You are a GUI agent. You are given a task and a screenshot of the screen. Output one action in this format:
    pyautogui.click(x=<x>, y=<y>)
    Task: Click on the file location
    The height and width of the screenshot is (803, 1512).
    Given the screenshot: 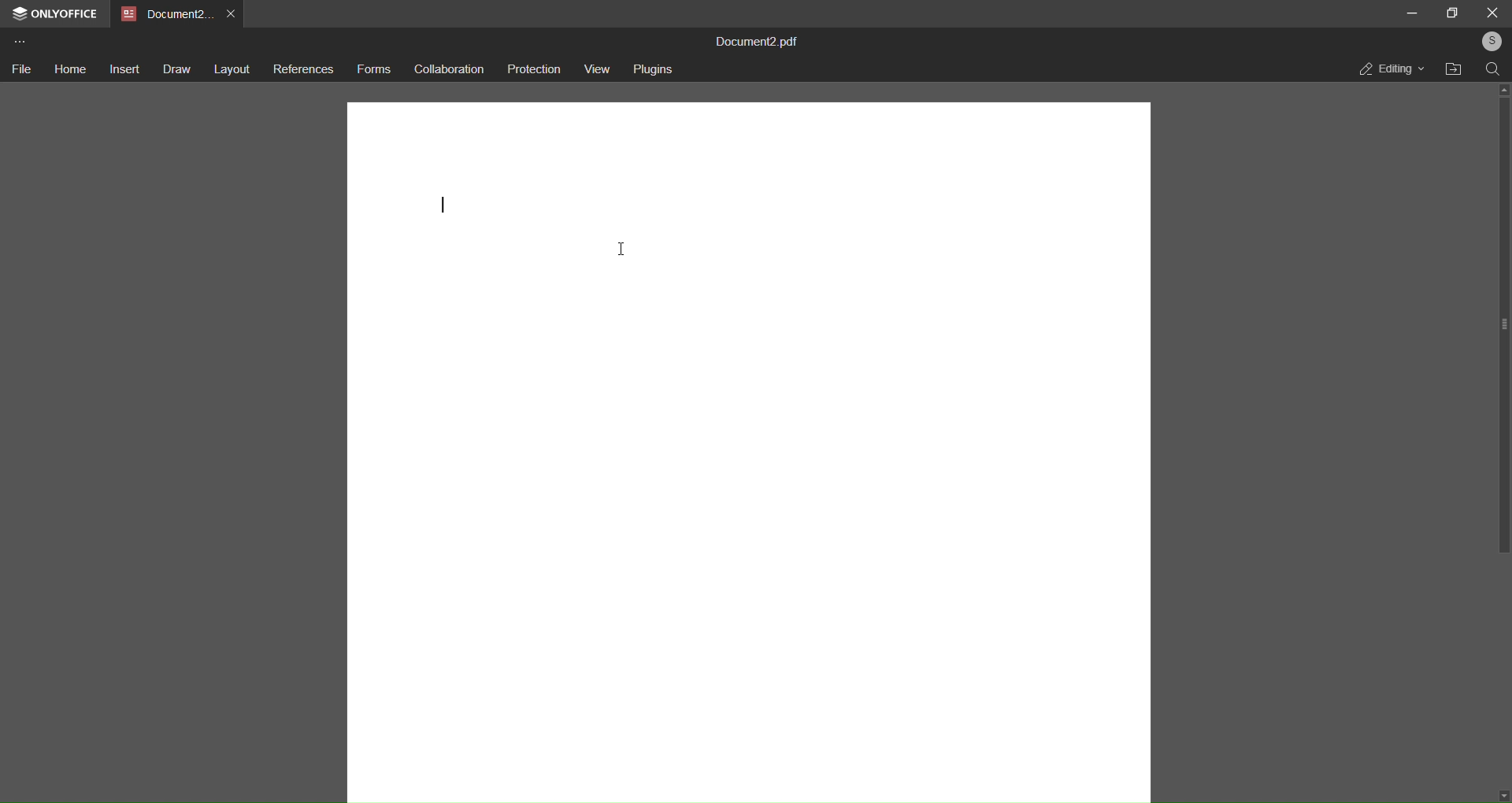 What is the action you would take?
    pyautogui.click(x=1455, y=70)
    